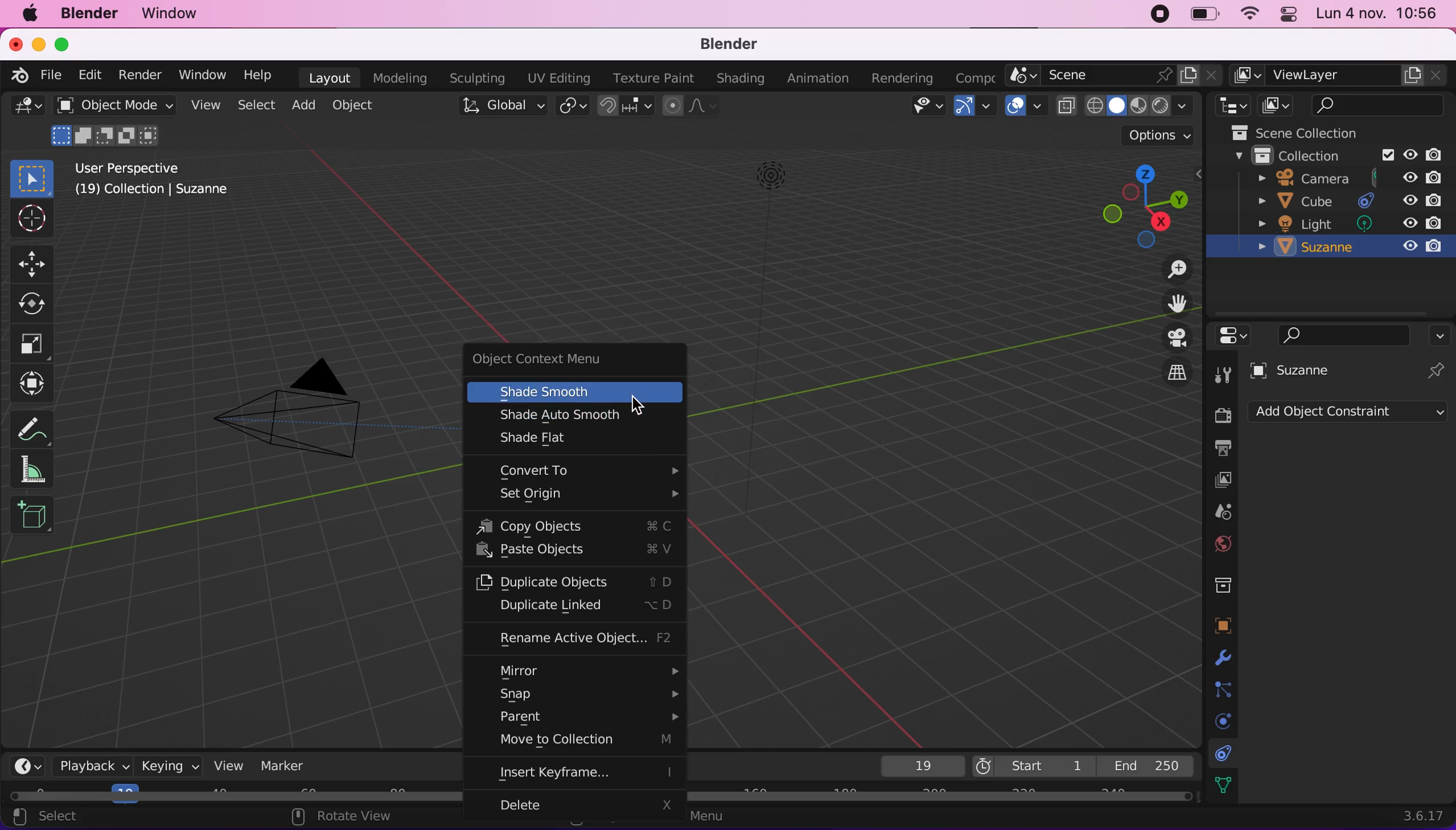 The height and width of the screenshot is (830, 1456). I want to click on convert to, so click(584, 470).